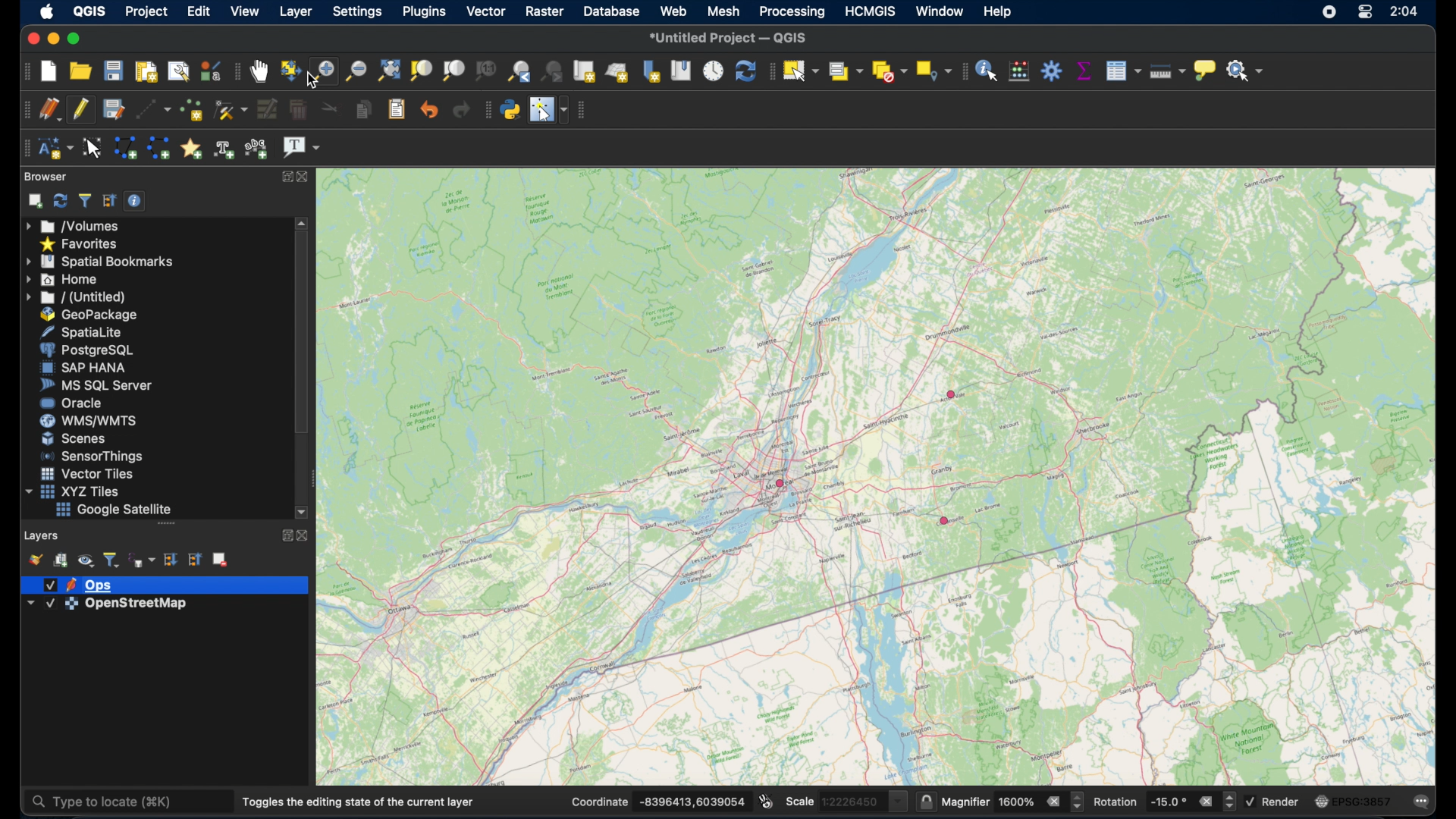 Image resolution: width=1456 pixels, height=819 pixels. What do you see at coordinates (70, 402) in the screenshot?
I see `oracle` at bounding box center [70, 402].